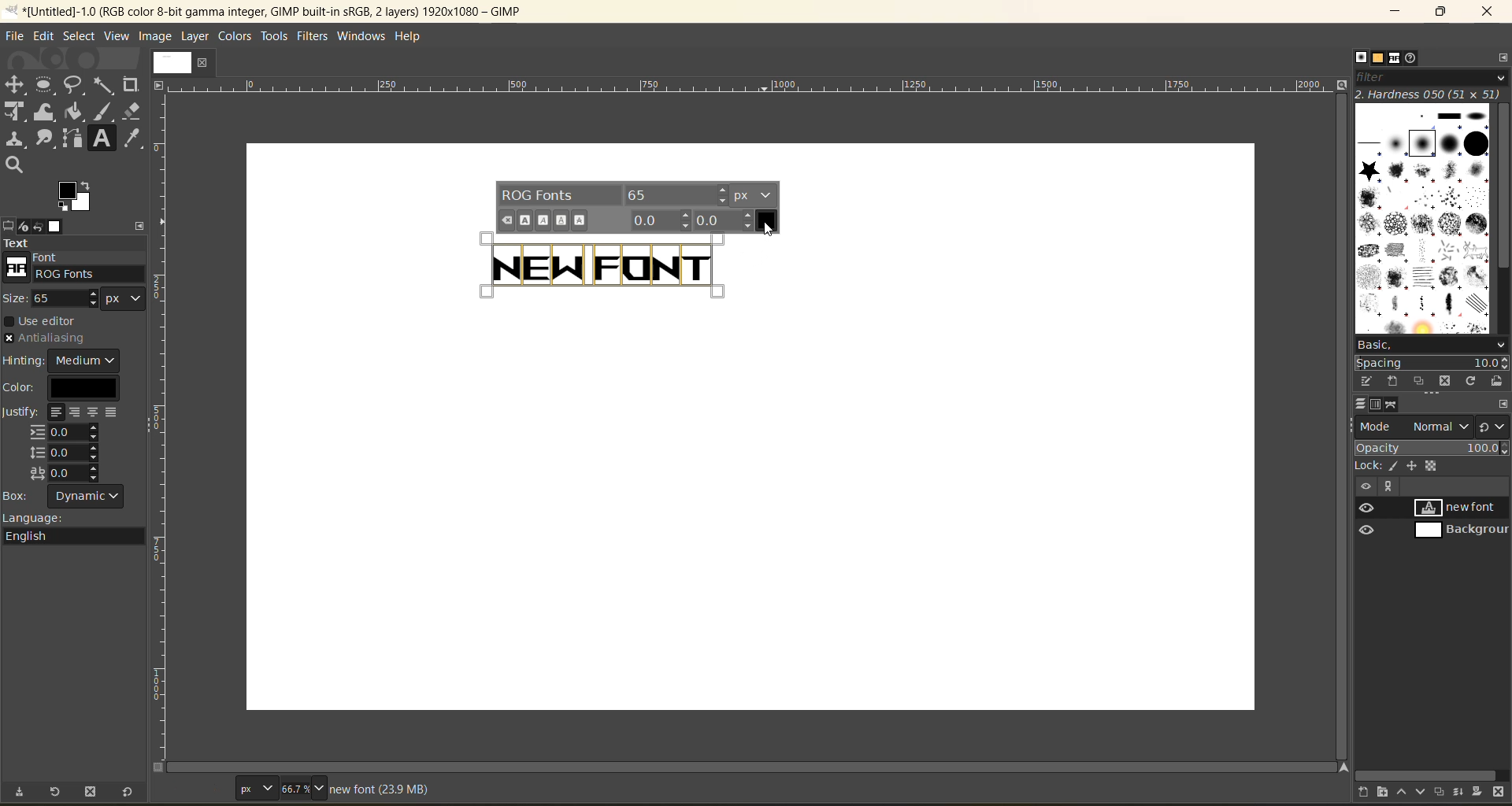 Image resolution: width=1512 pixels, height=806 pixels. What do you see at coordinates (581, 264) in the screenshot?
I see `text` at bounding box center [581, 264].